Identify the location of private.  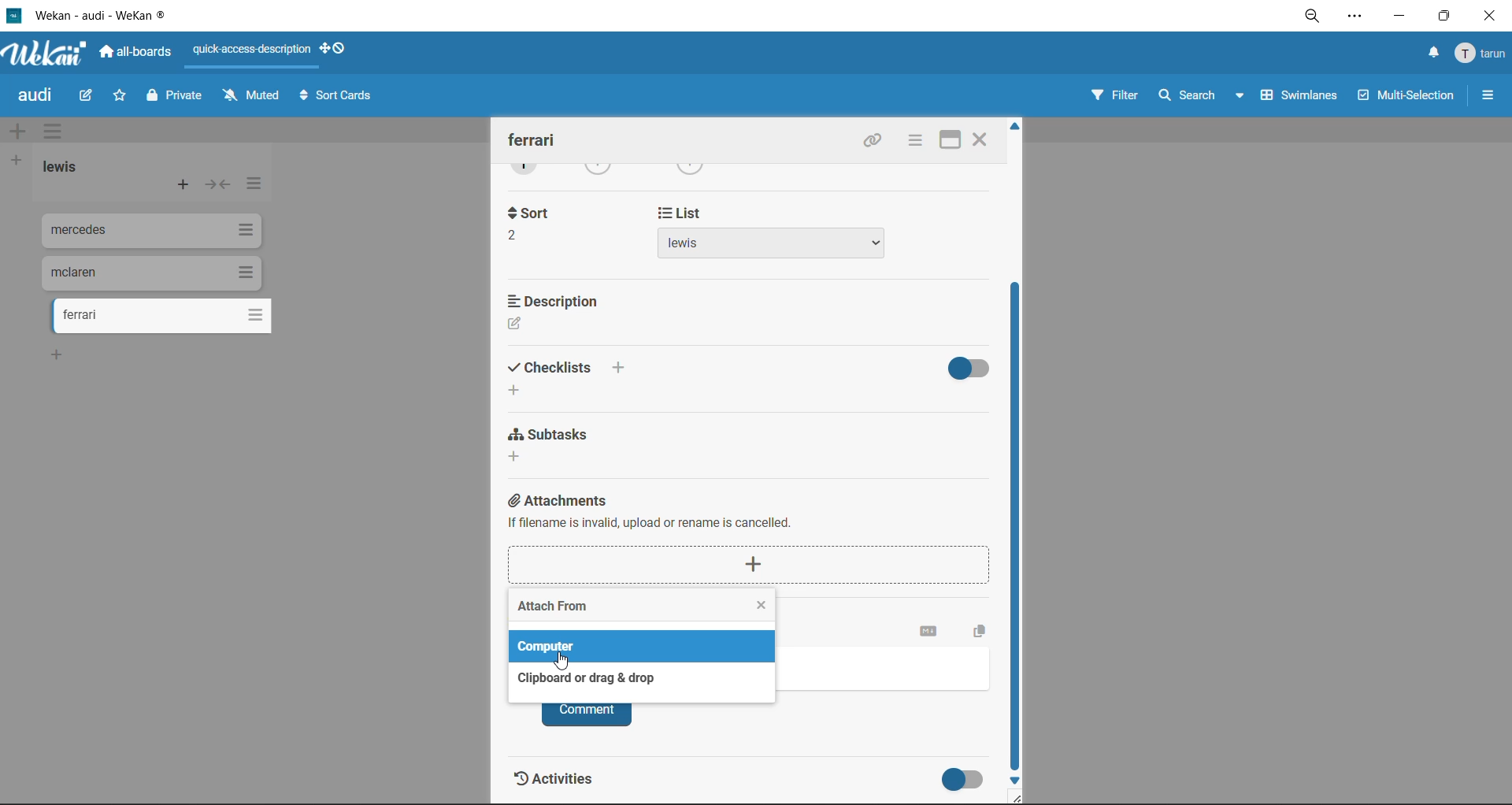
(177, 99).